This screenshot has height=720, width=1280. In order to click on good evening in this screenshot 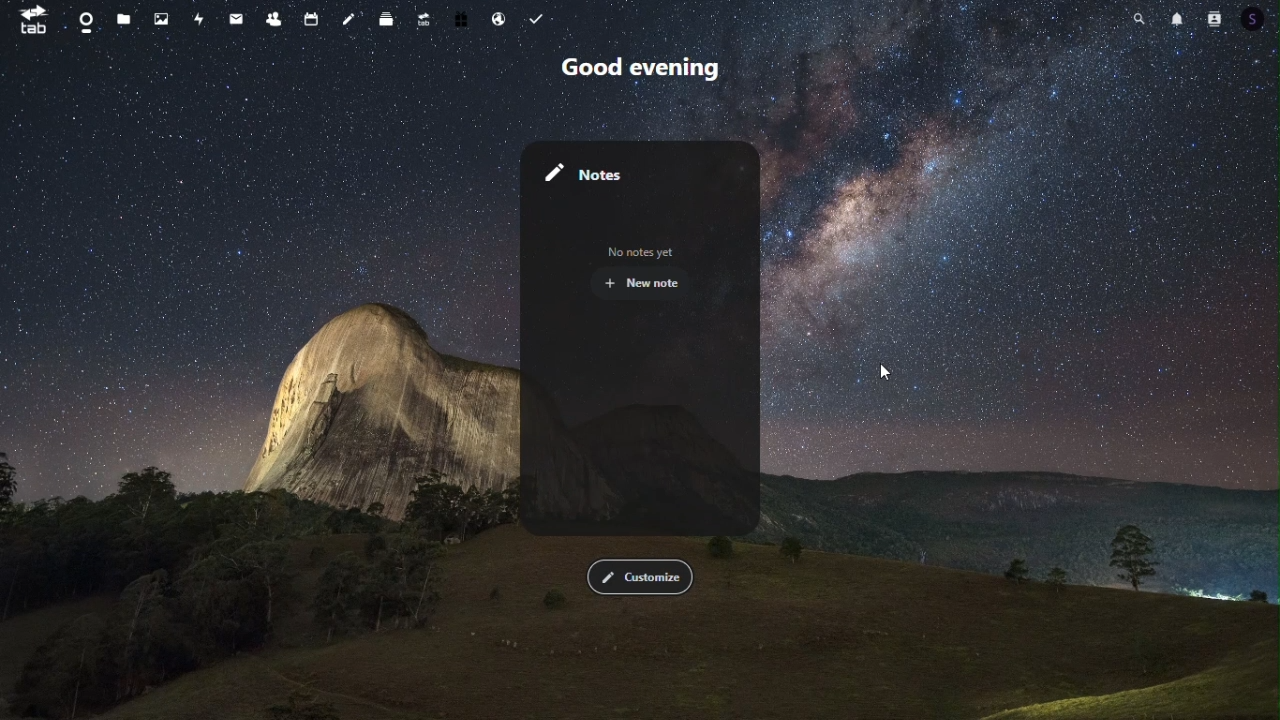, I will do `click(645, 72)`.